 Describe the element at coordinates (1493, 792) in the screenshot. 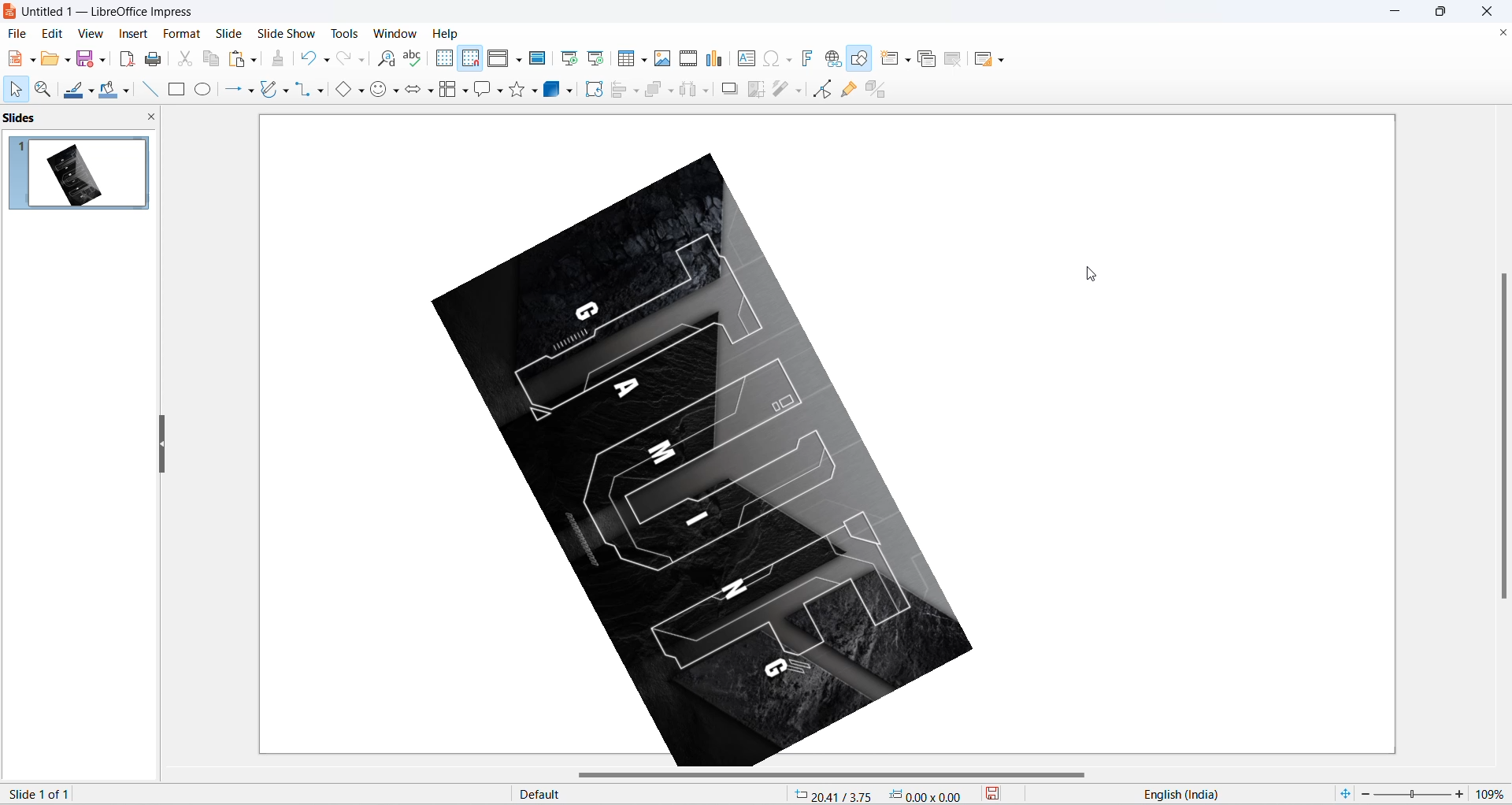

I see `zoom percentage` at that location.